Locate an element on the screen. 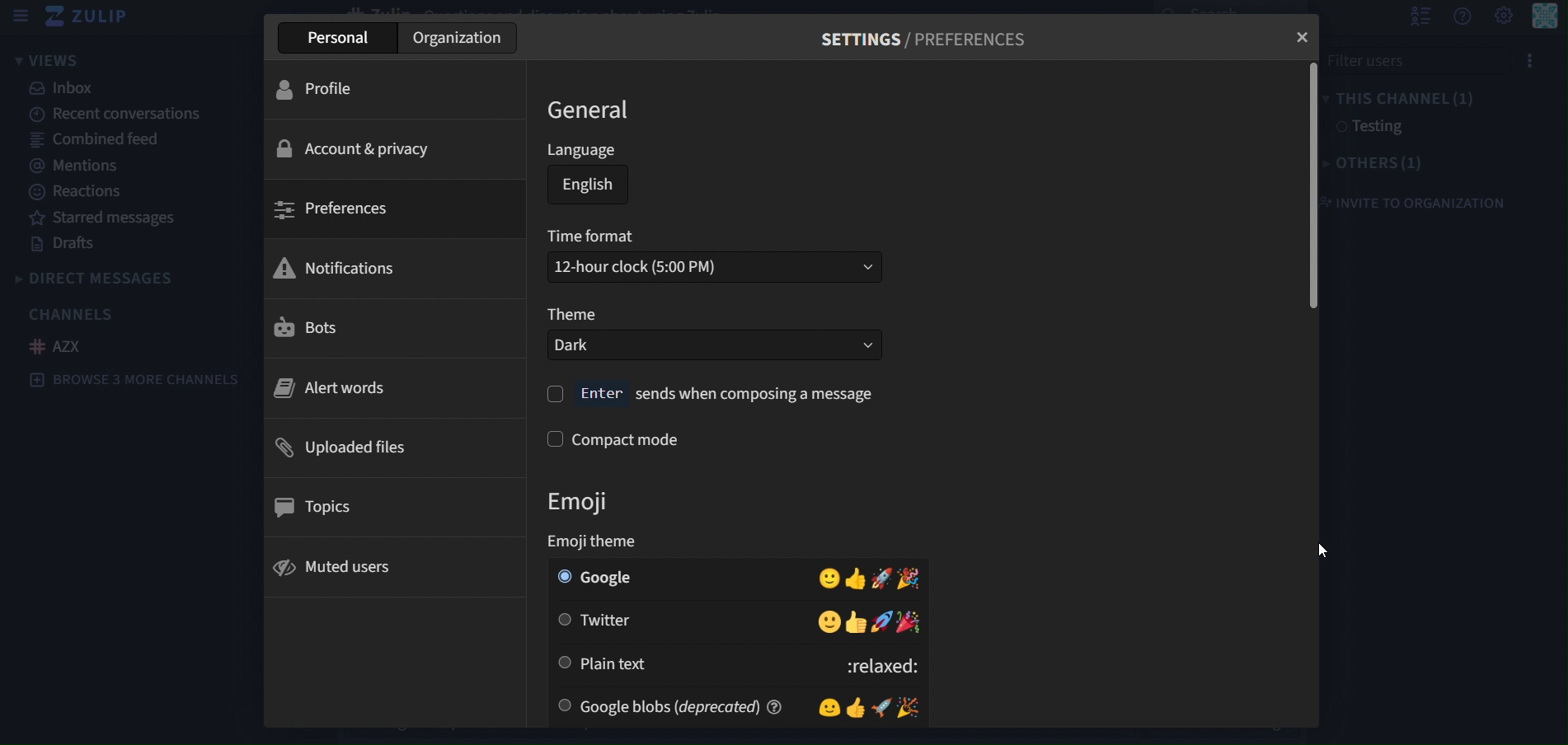 The image size is (1568, 745). inbox is located at coordinates (63, 89).